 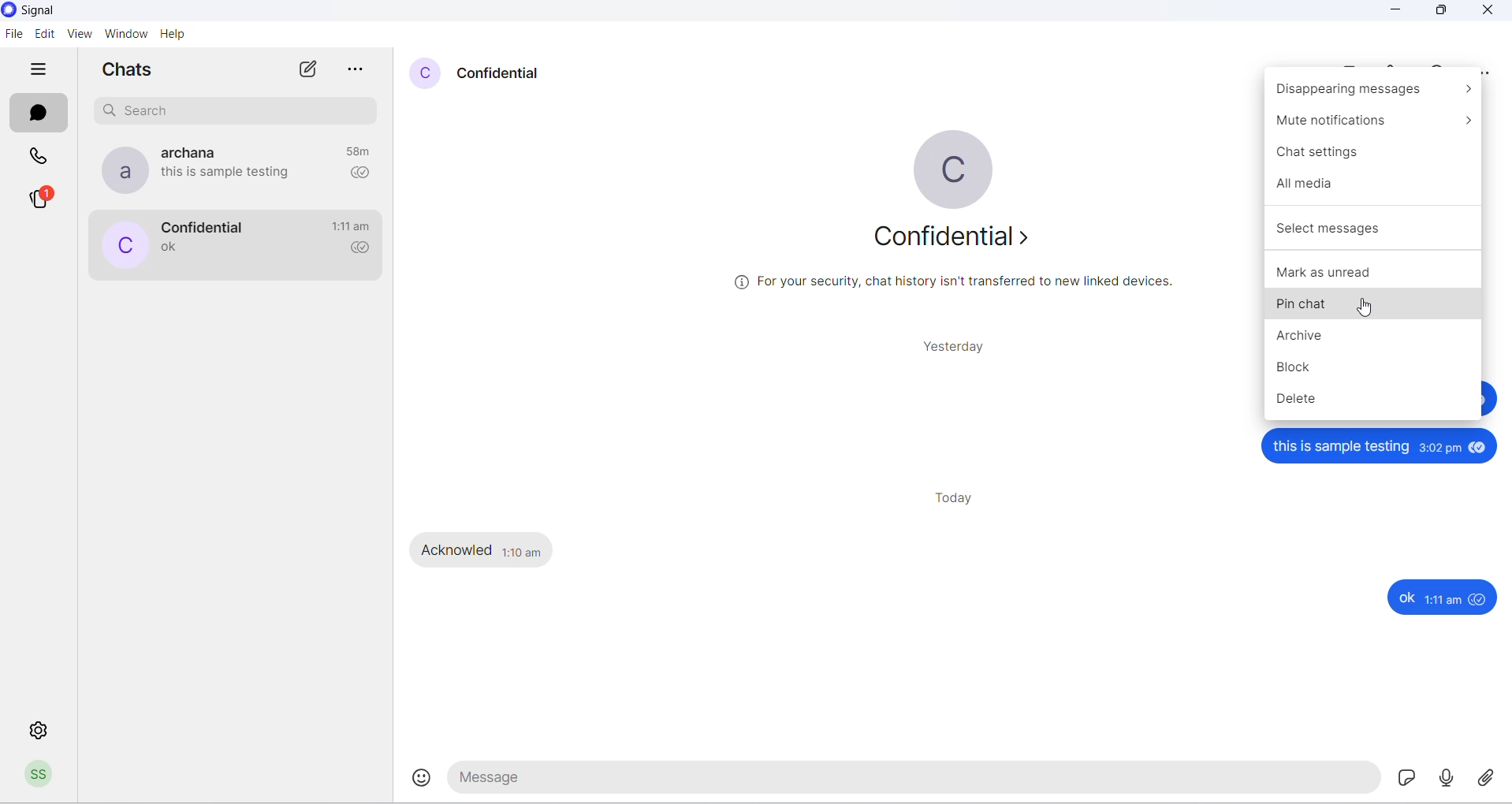 What do you see at coordinates (1350, 69) in the screenshot?
I see `video call` at bounding box center [1350, 69].